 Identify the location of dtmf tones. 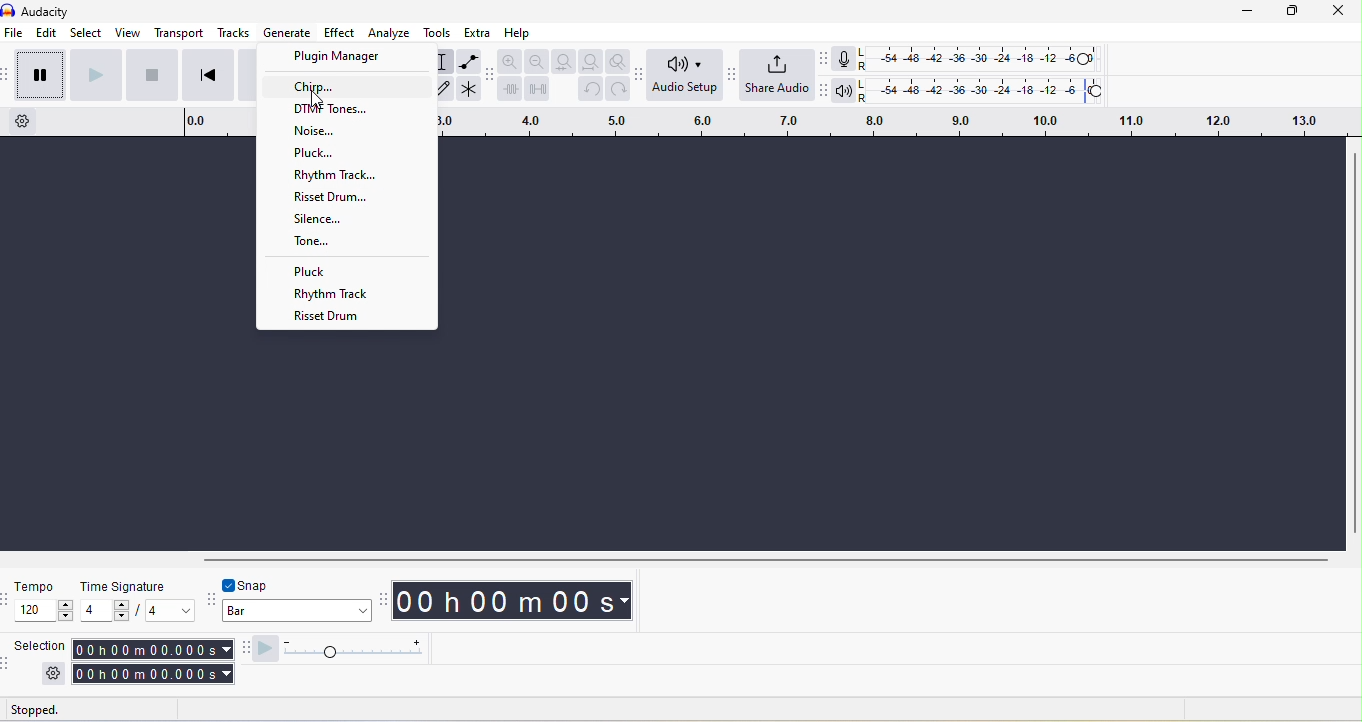
(331, 110).